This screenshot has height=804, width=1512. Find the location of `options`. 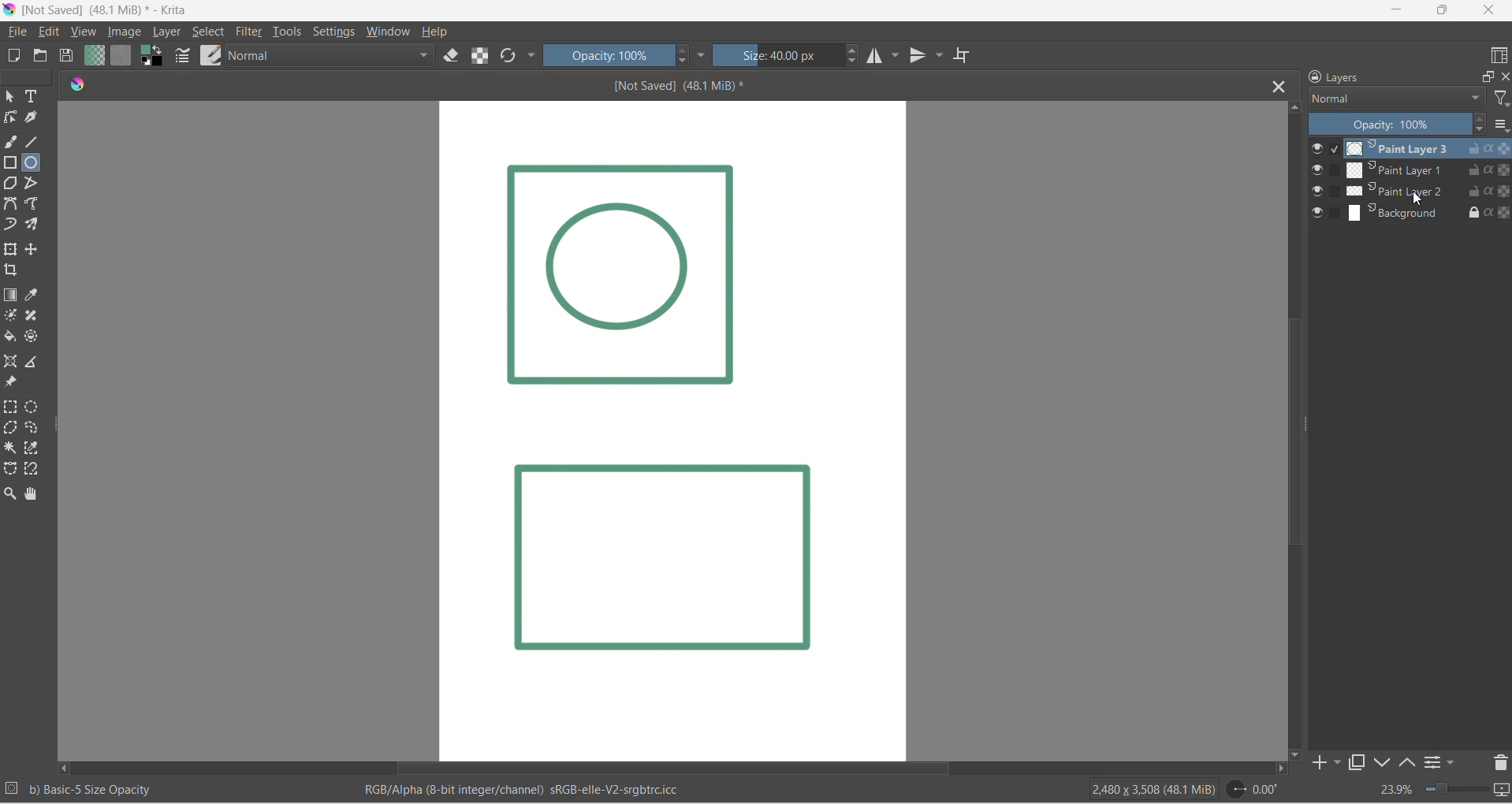

options is located at coordinates (1503, 124).